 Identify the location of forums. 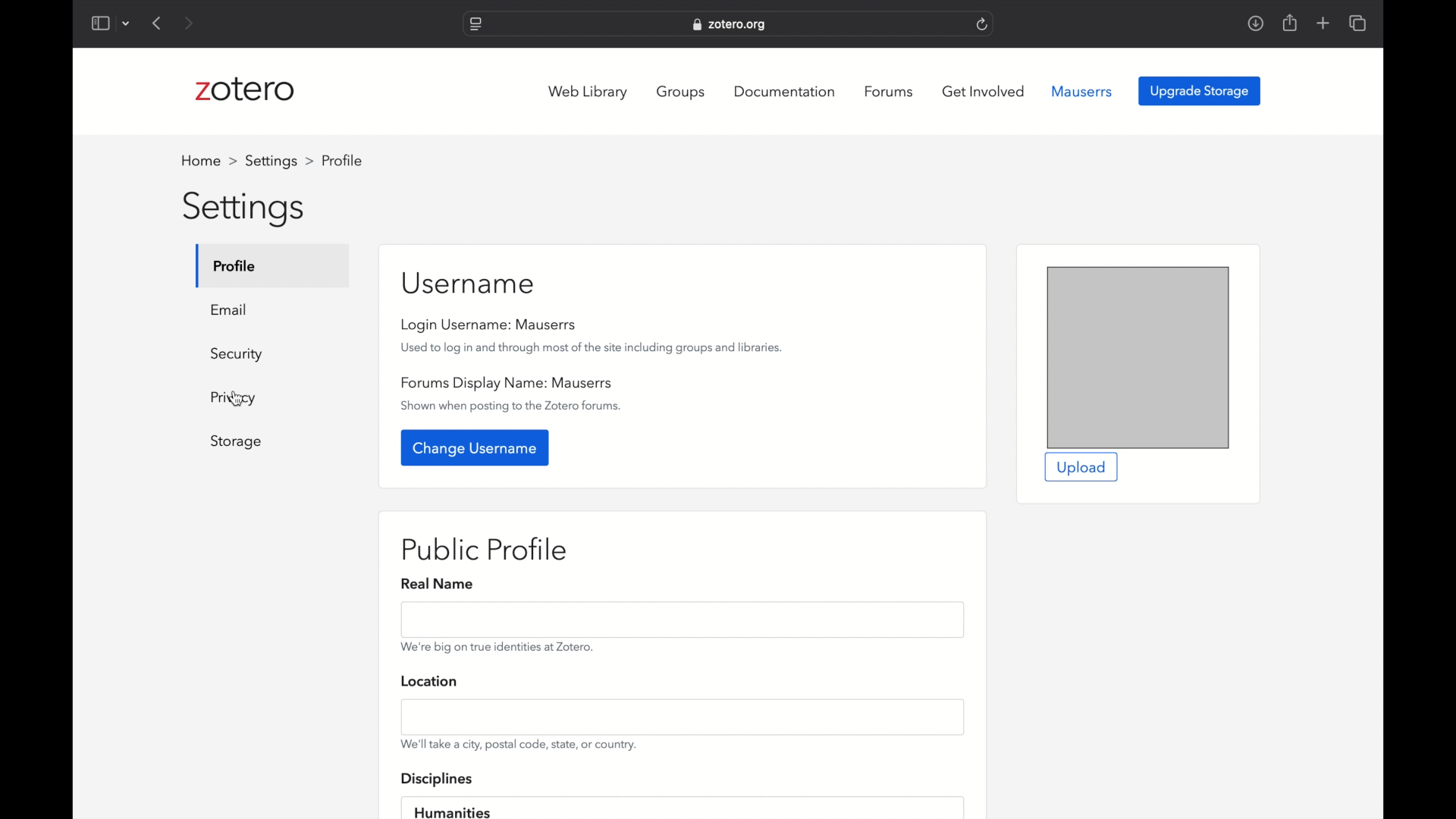
(889, 92).